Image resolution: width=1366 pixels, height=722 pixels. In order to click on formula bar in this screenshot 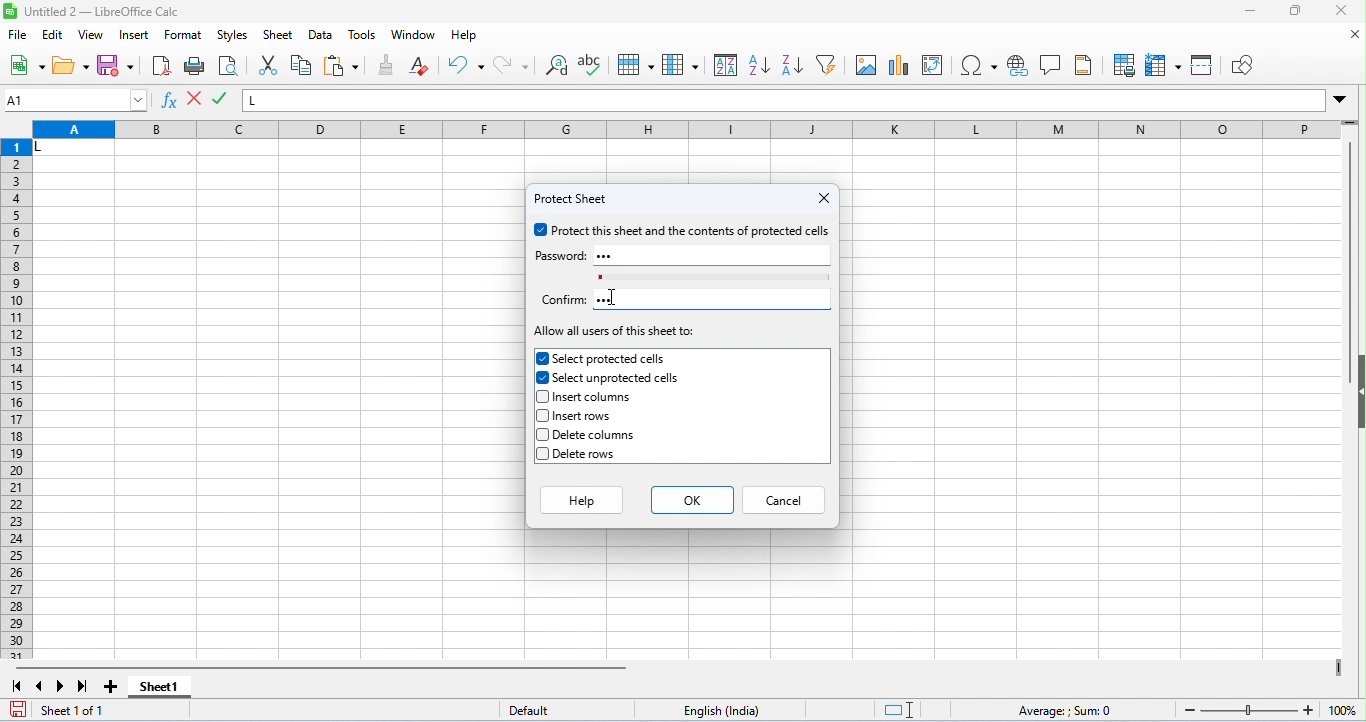, I will do `click(785, 100)`.